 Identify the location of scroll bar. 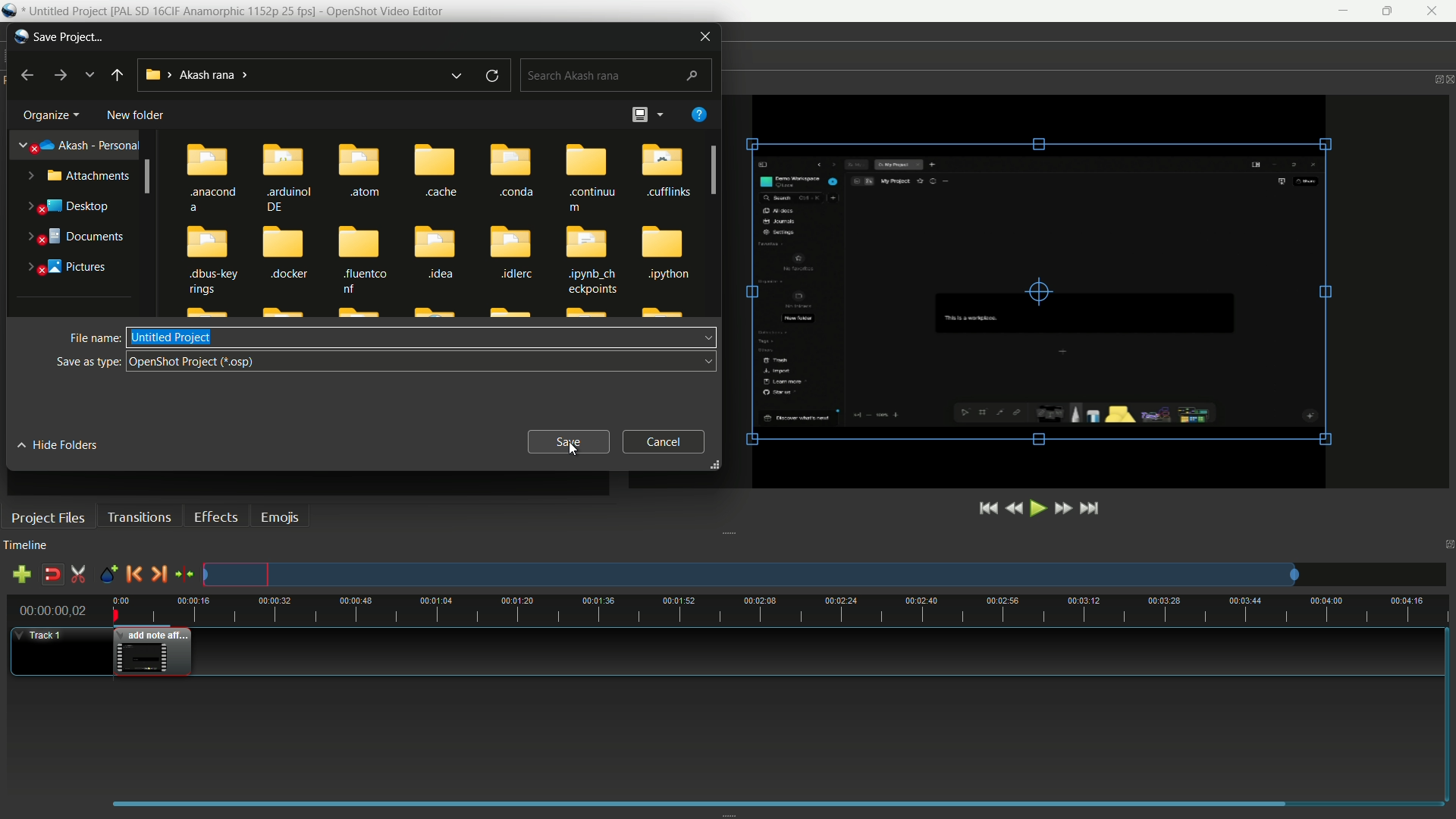
(716, 169).